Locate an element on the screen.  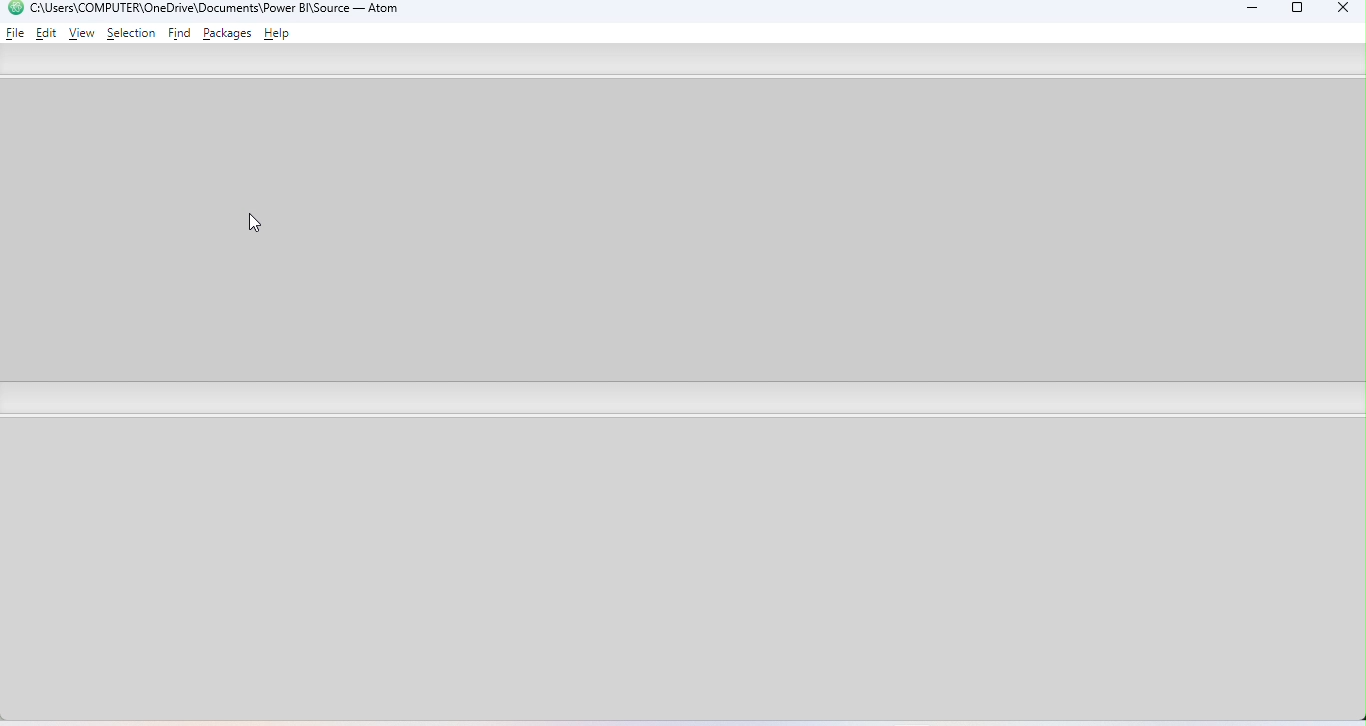
Find is located at coordinates (181, 34).